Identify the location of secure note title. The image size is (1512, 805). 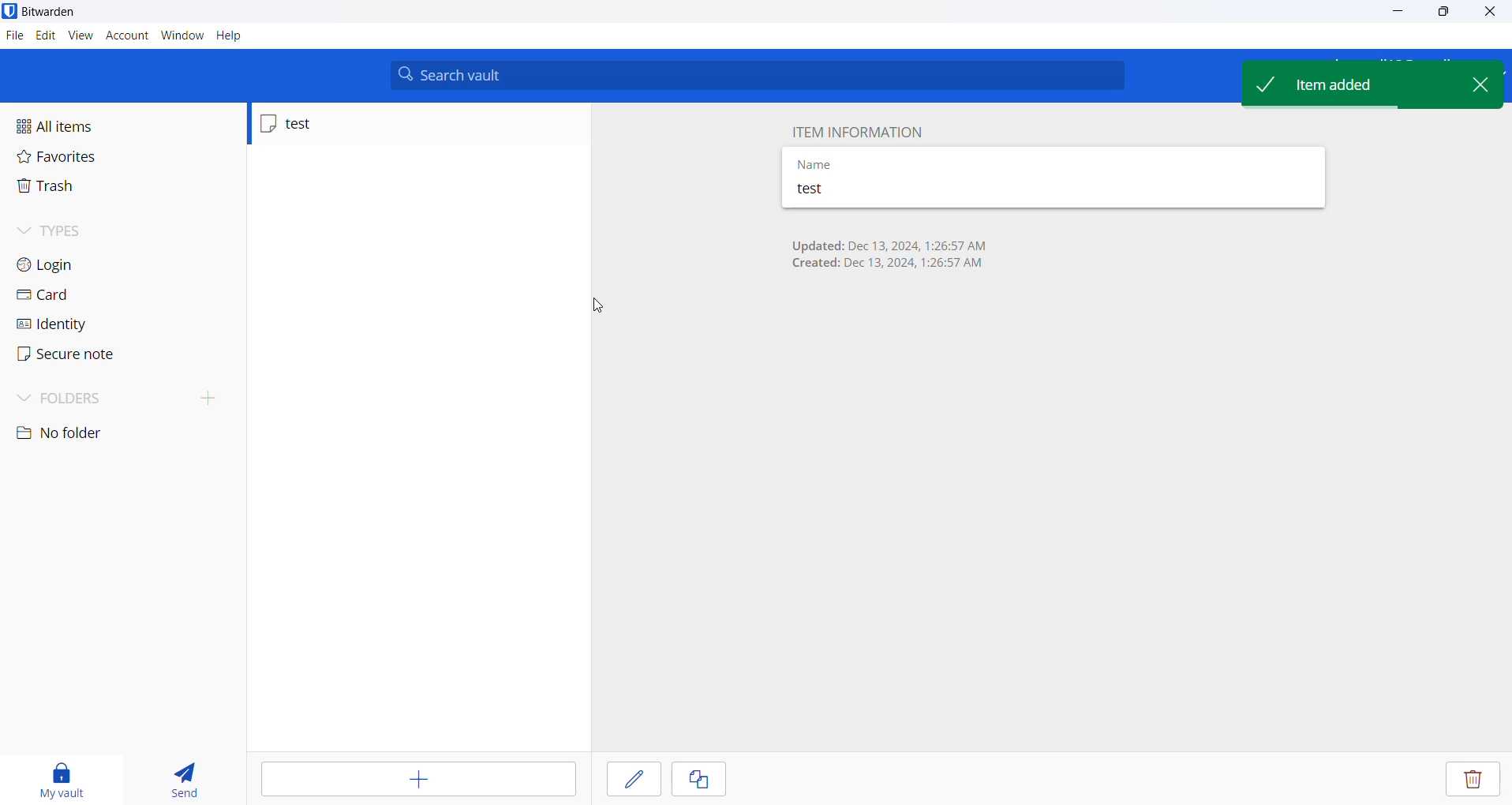
(876, 192).